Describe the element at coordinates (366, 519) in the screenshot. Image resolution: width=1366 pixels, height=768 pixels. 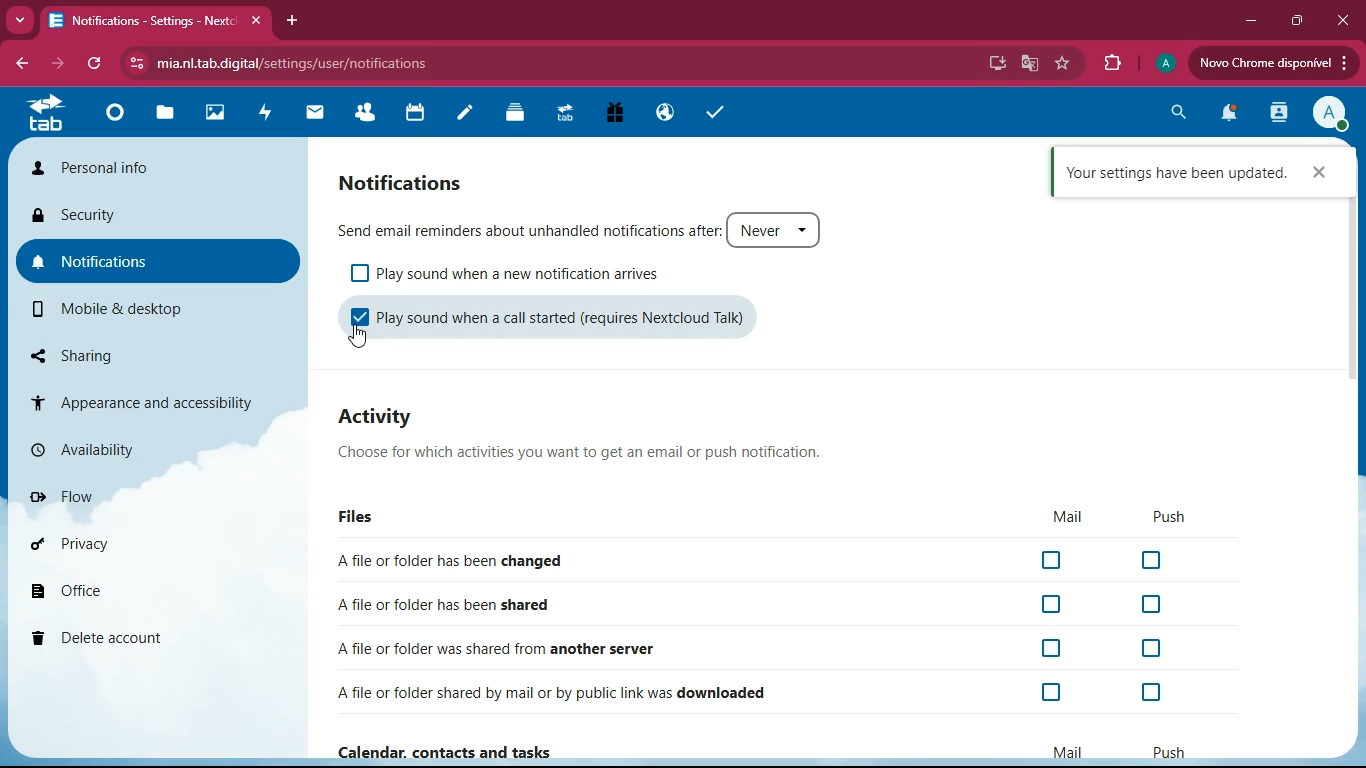
I see `files` at that location.